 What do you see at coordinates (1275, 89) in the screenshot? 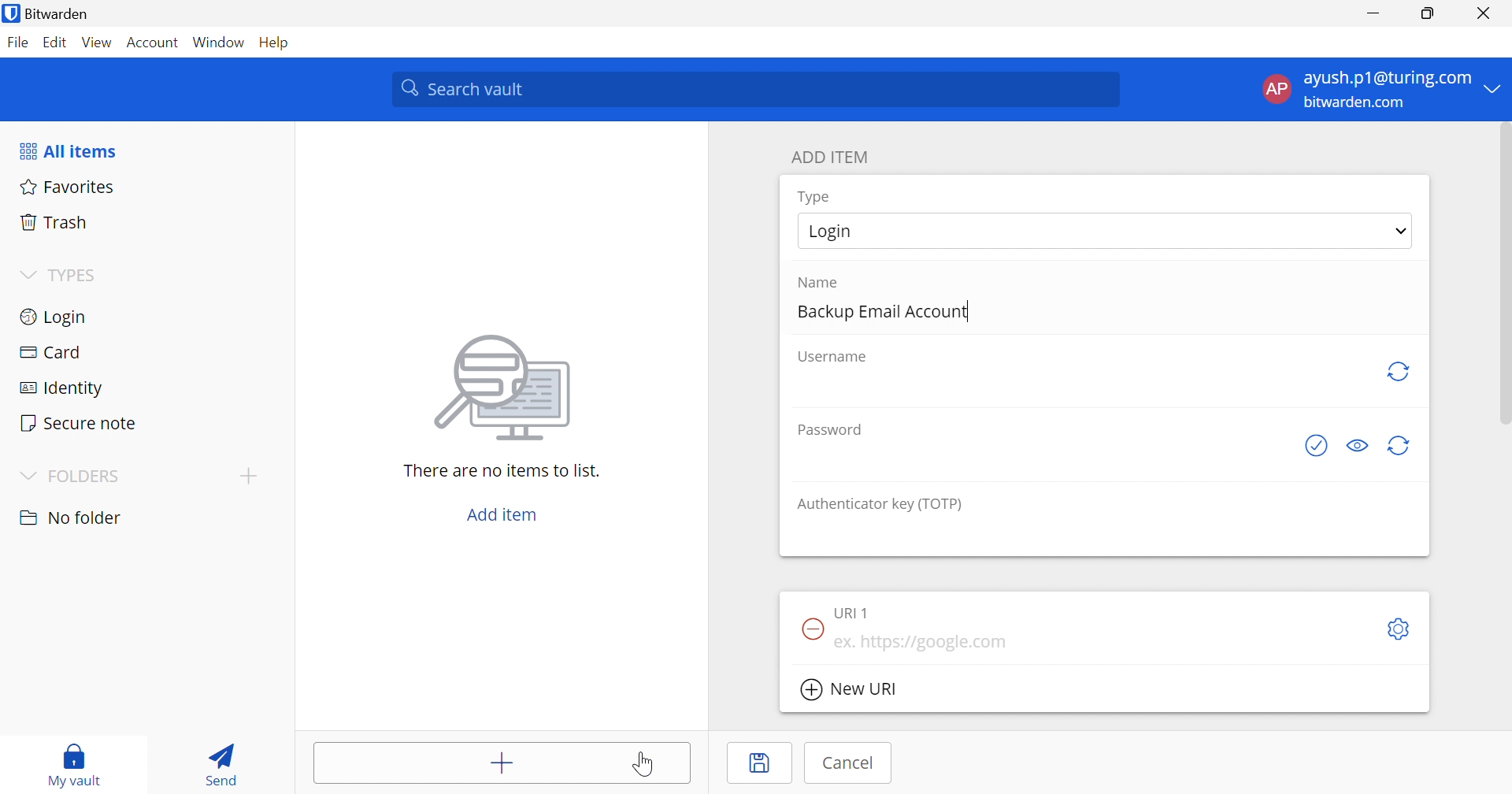
I see `AP` at bounding box center [1275, 89].